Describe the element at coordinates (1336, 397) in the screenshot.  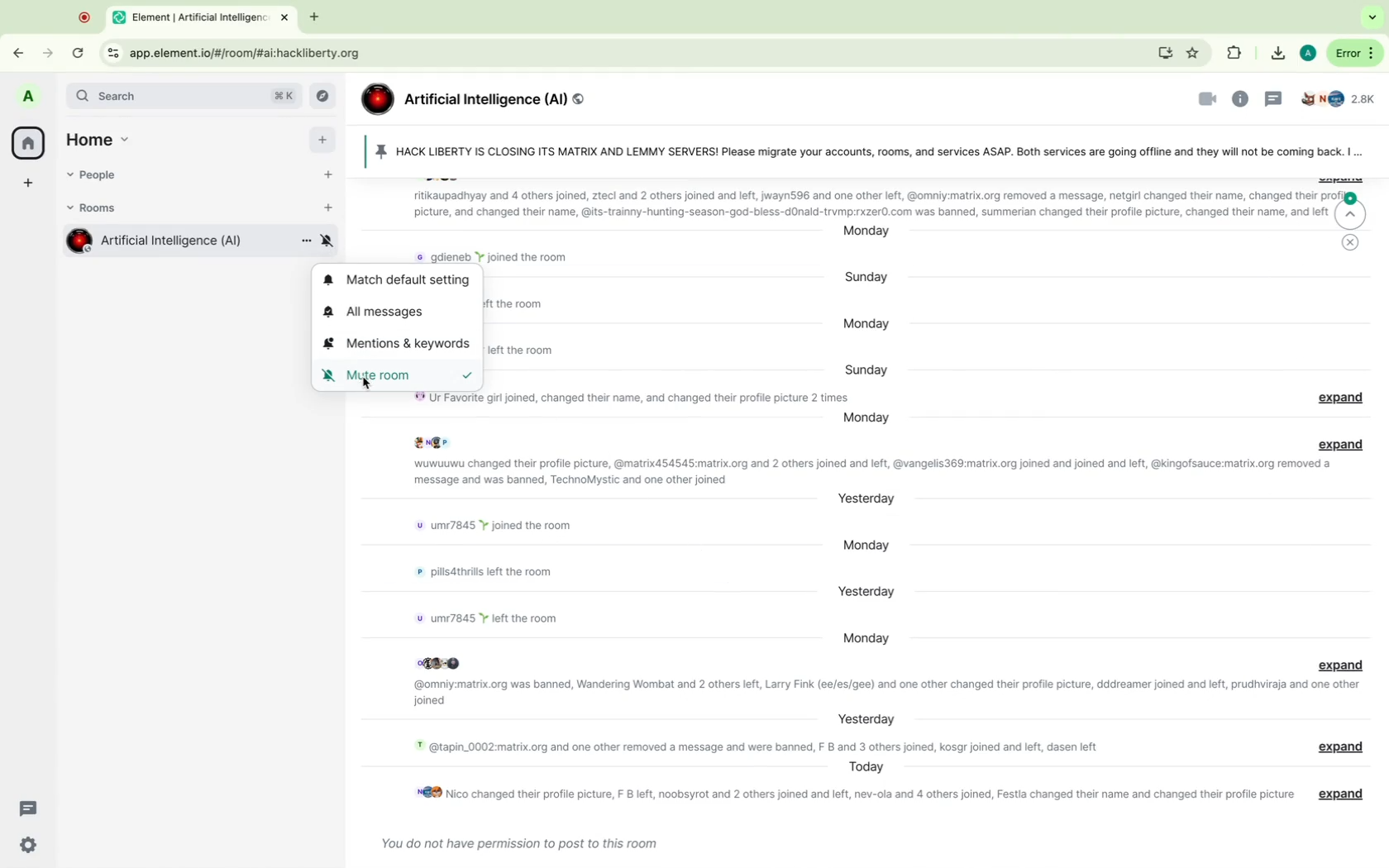
I see `expand` at that location.